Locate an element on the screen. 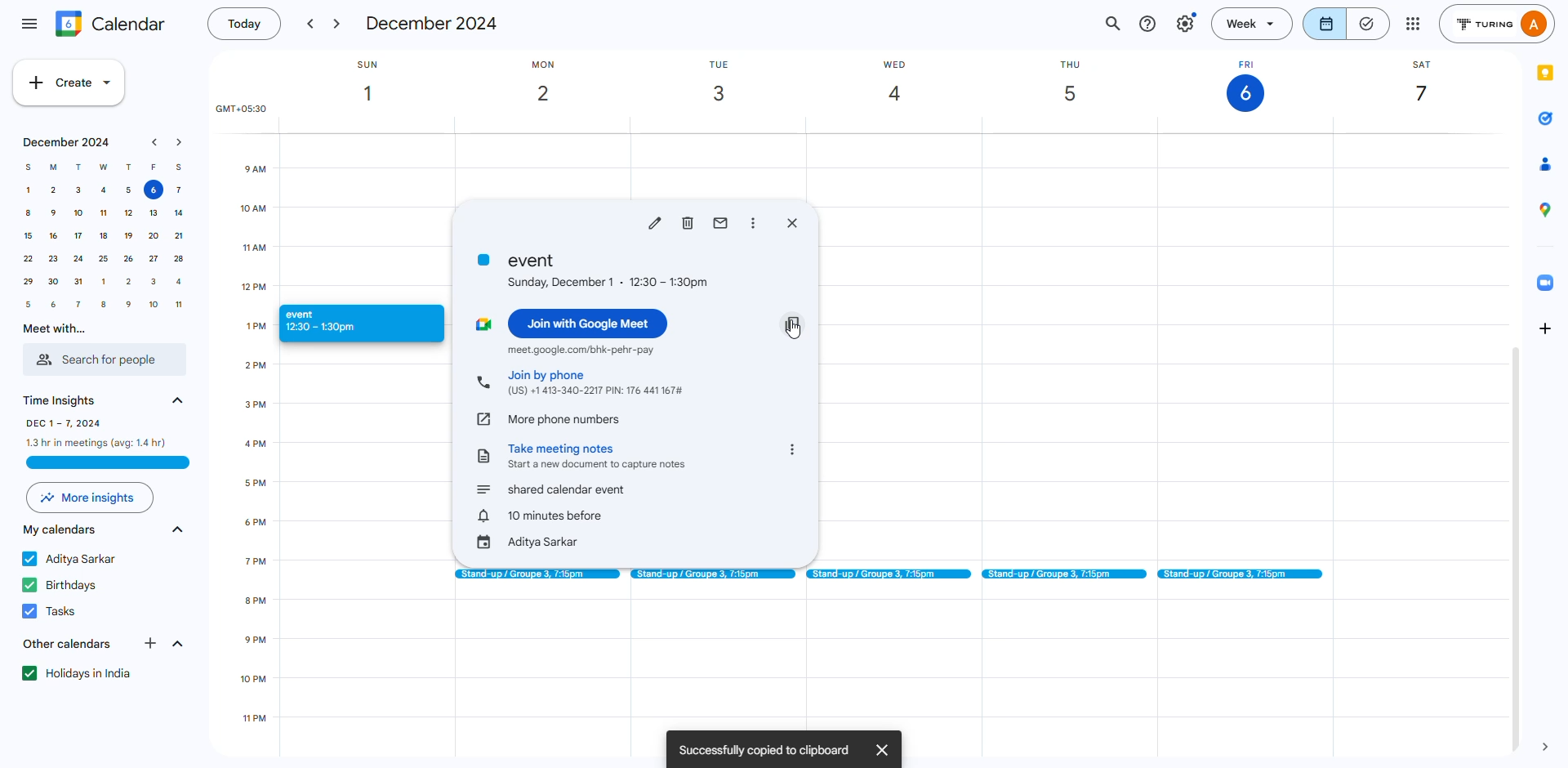 The image size is (1568, 768). 24 is located at coordinates (78, 261).